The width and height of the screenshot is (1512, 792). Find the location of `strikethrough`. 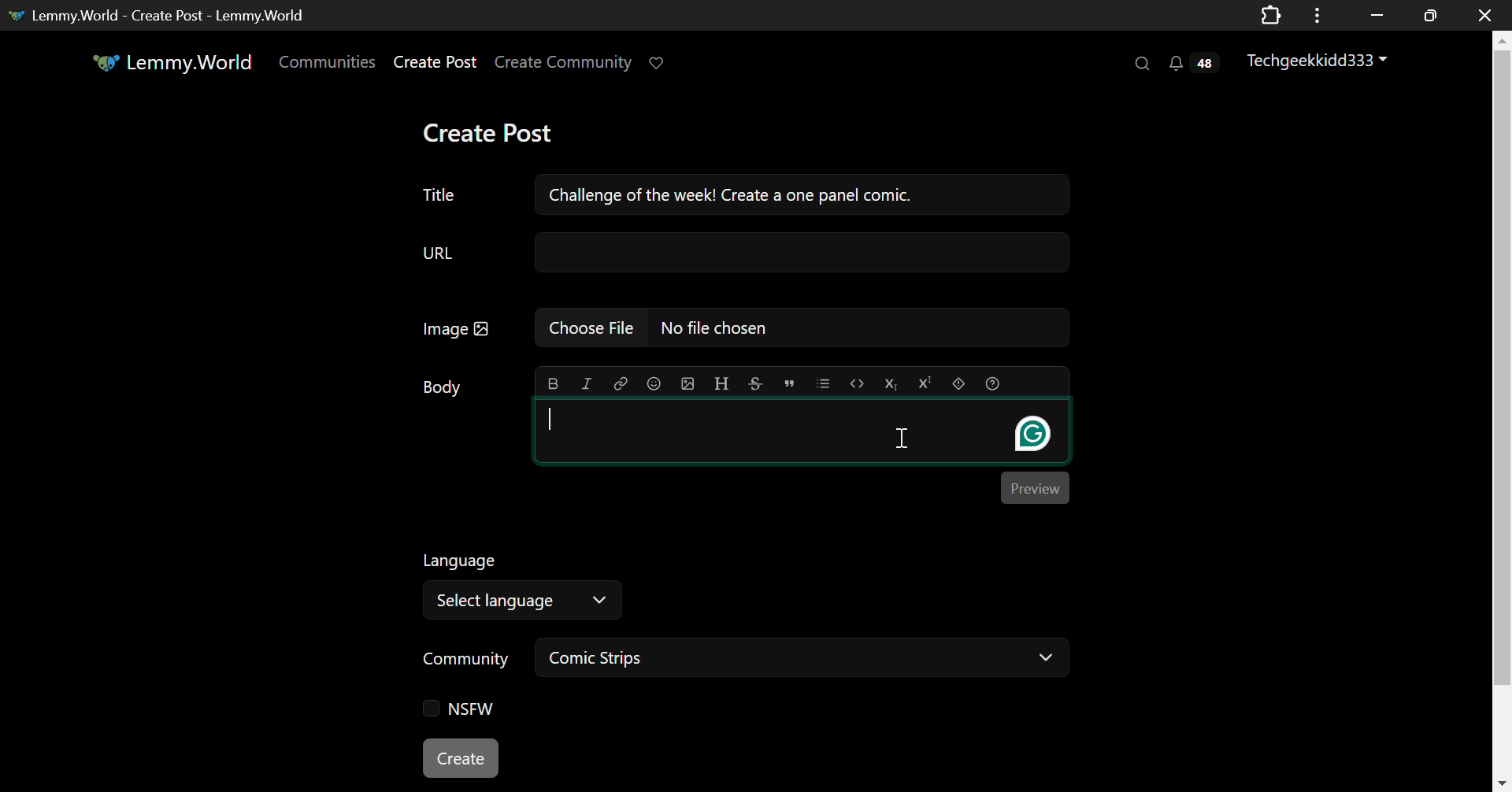

strikethrough is located at coordinates (755, 384).